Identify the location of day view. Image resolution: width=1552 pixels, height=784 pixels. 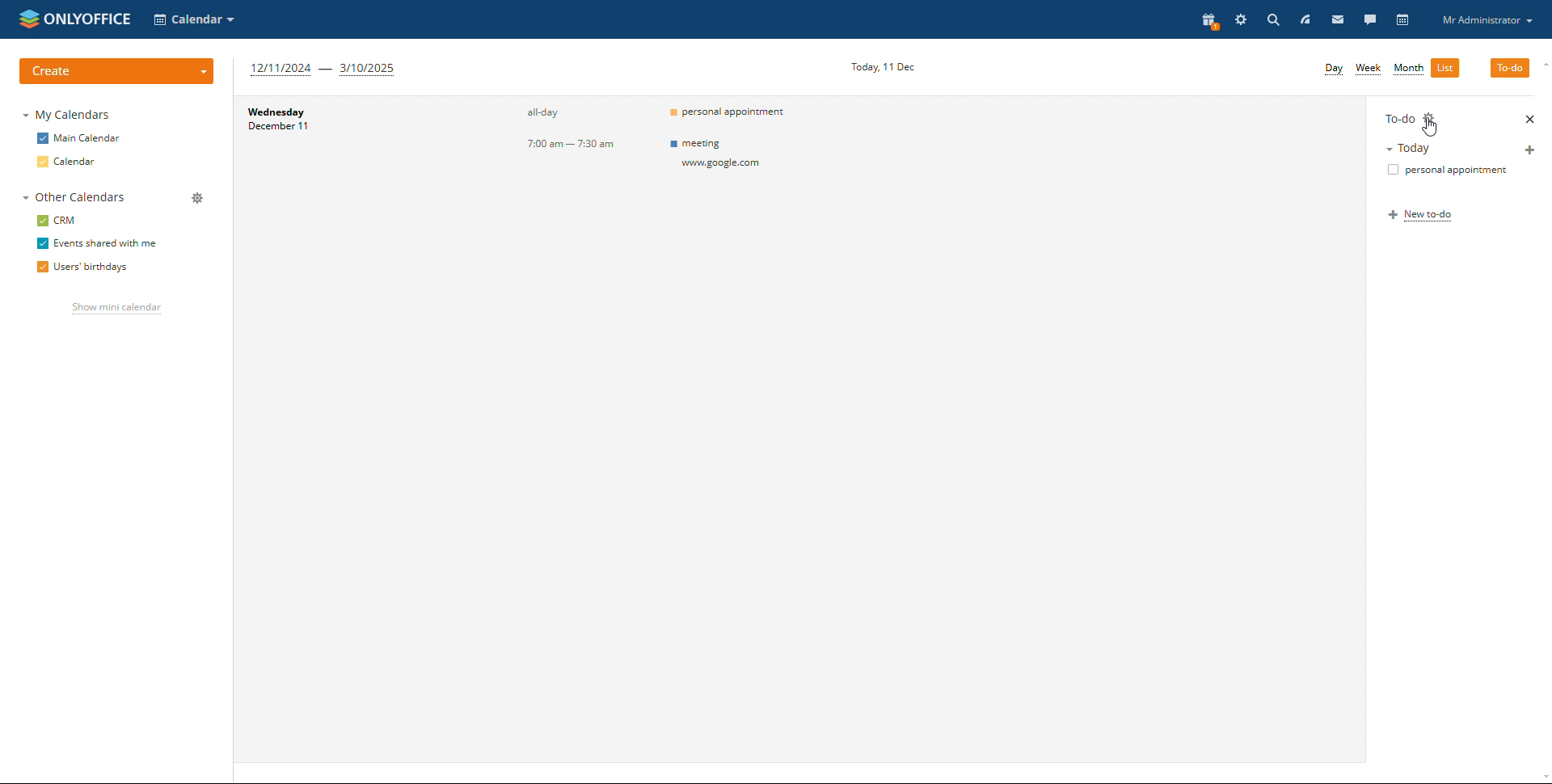
(1334, 70).